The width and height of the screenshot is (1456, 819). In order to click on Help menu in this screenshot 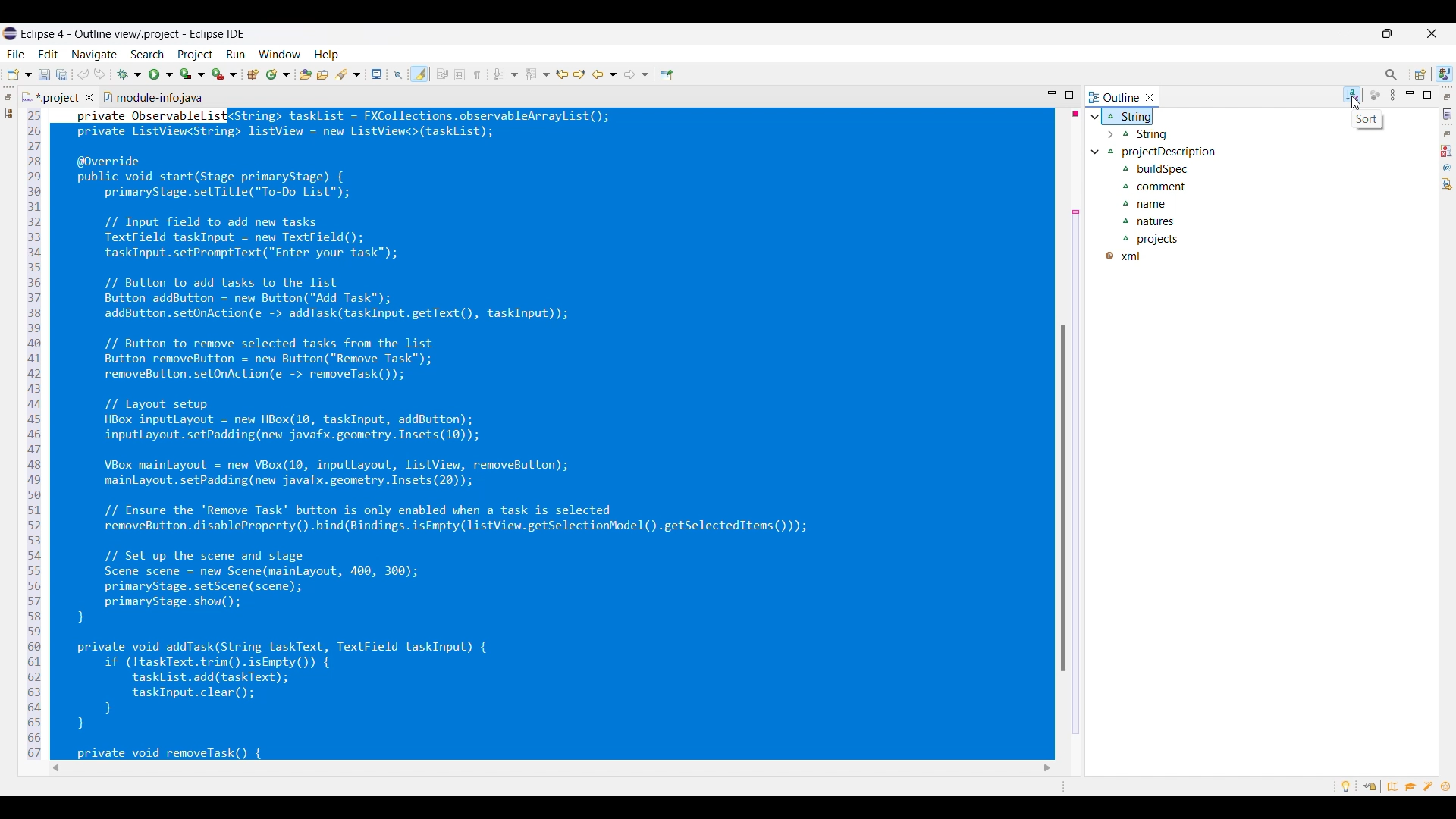, I will do `click(327, 55)`.